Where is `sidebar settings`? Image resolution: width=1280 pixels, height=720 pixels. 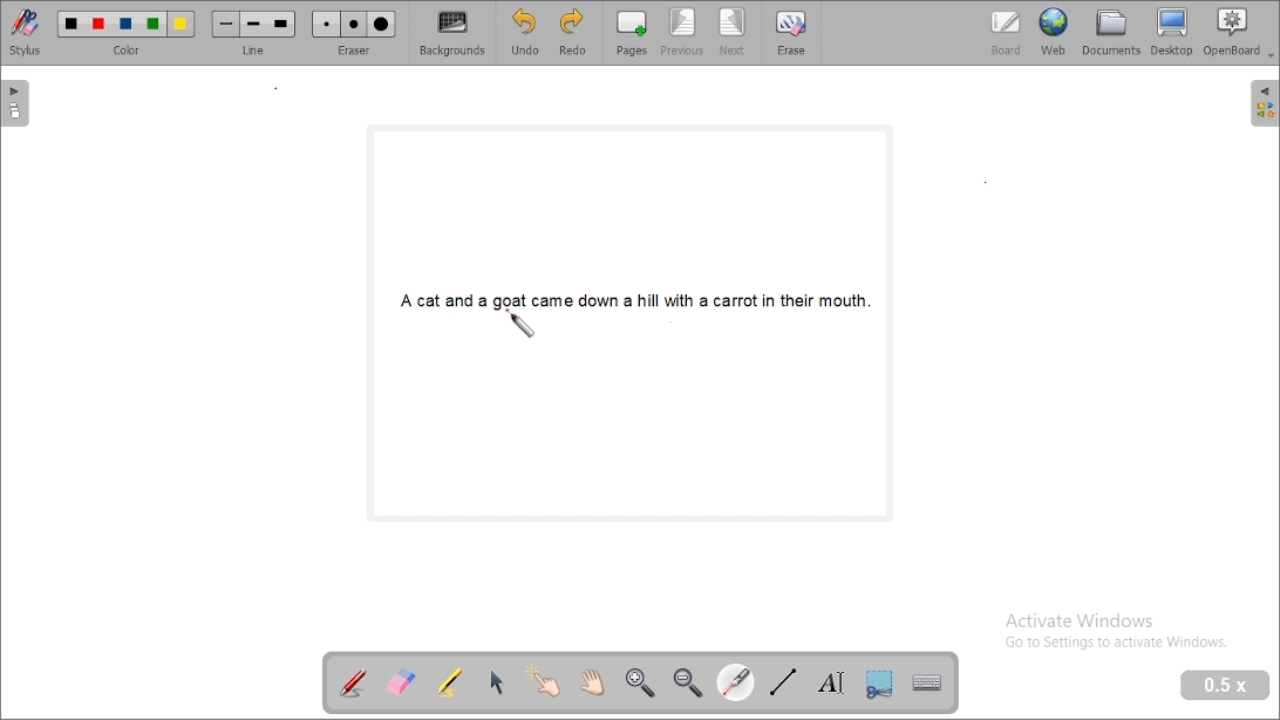 sidebar settings is located at coordinates (1263, 104).